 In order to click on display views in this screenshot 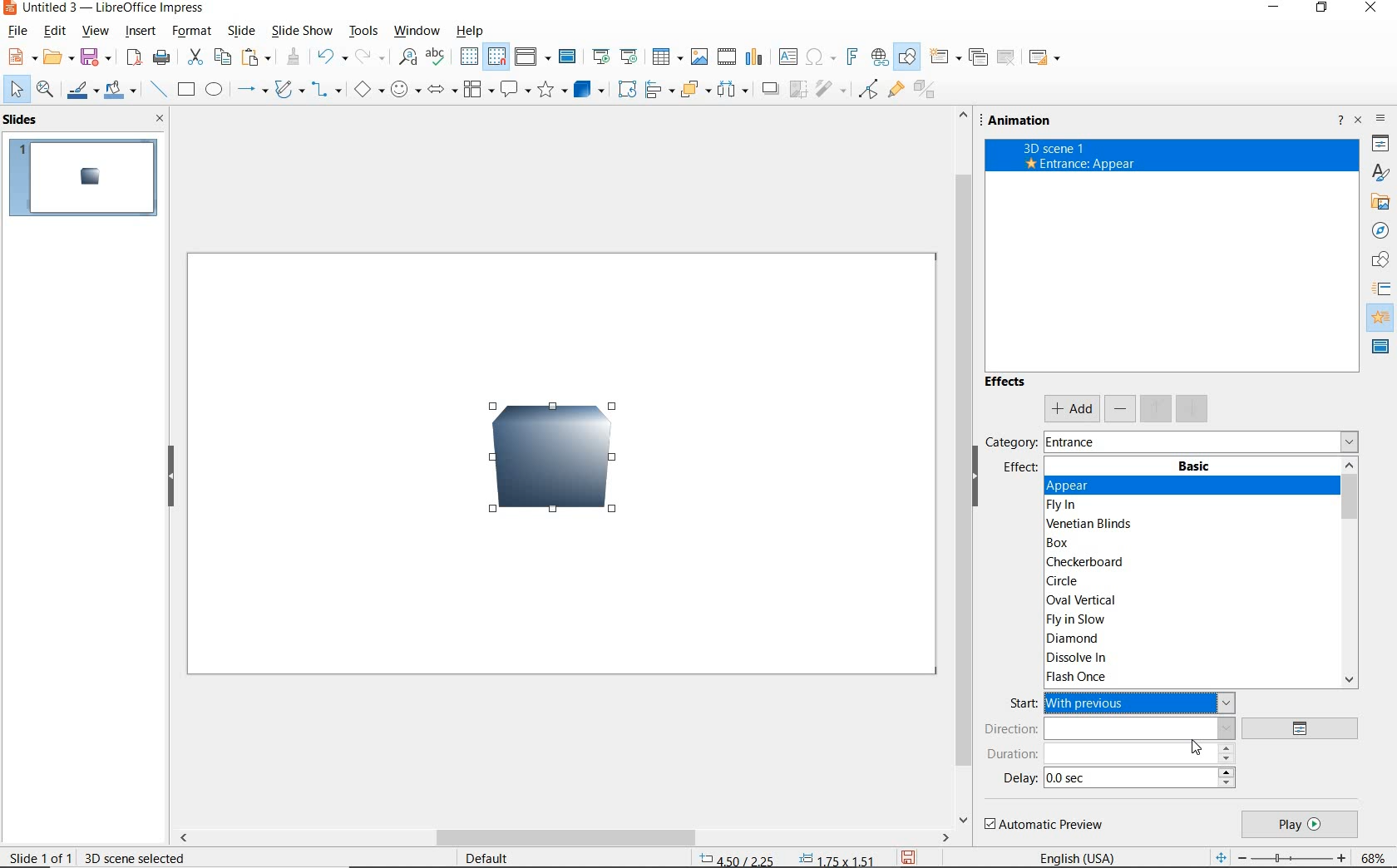, I will do `click(533, 57)`.